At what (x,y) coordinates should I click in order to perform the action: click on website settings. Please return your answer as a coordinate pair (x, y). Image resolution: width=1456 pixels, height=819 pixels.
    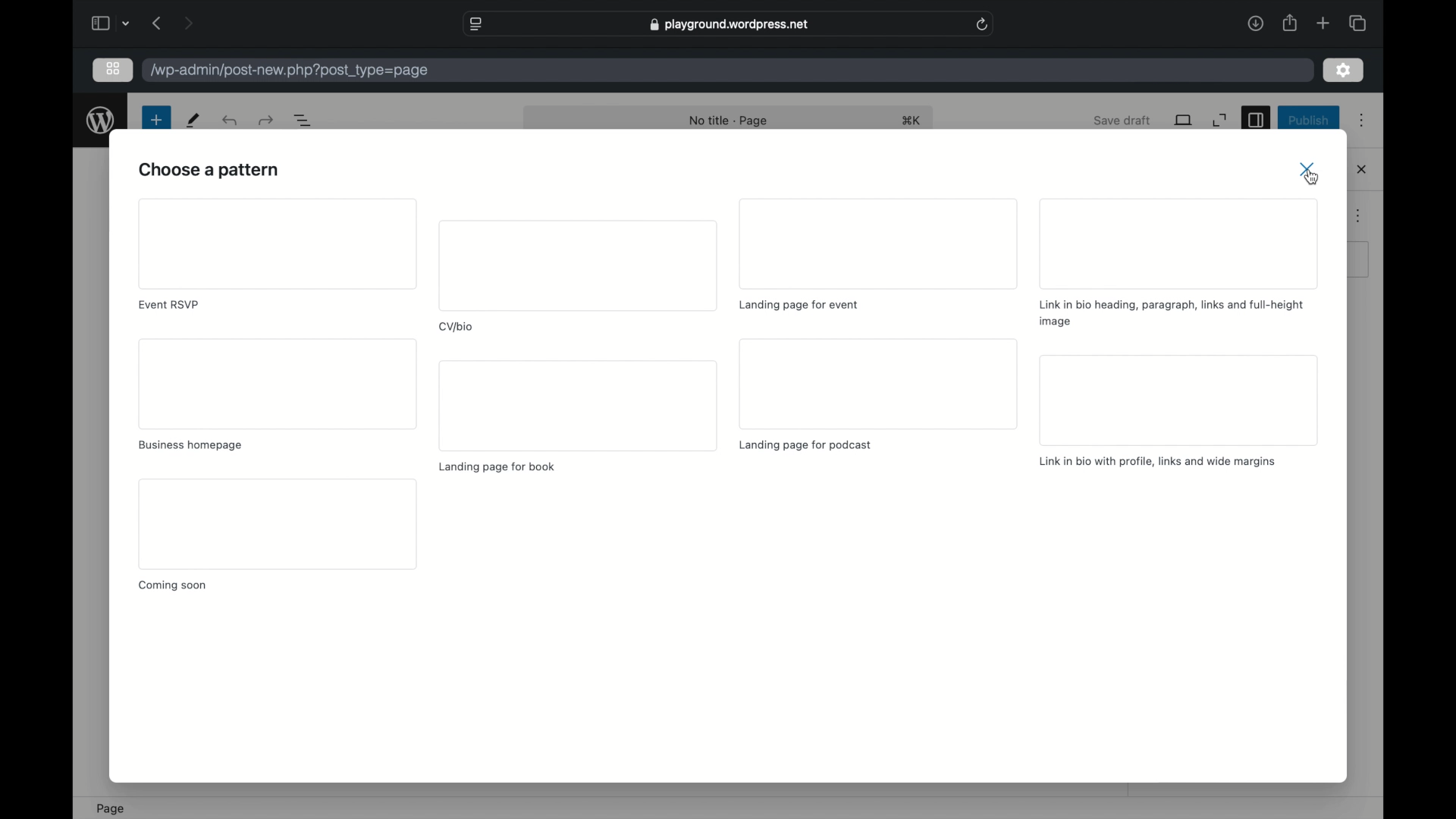
    Looking at the image, I should click on (476, 24).